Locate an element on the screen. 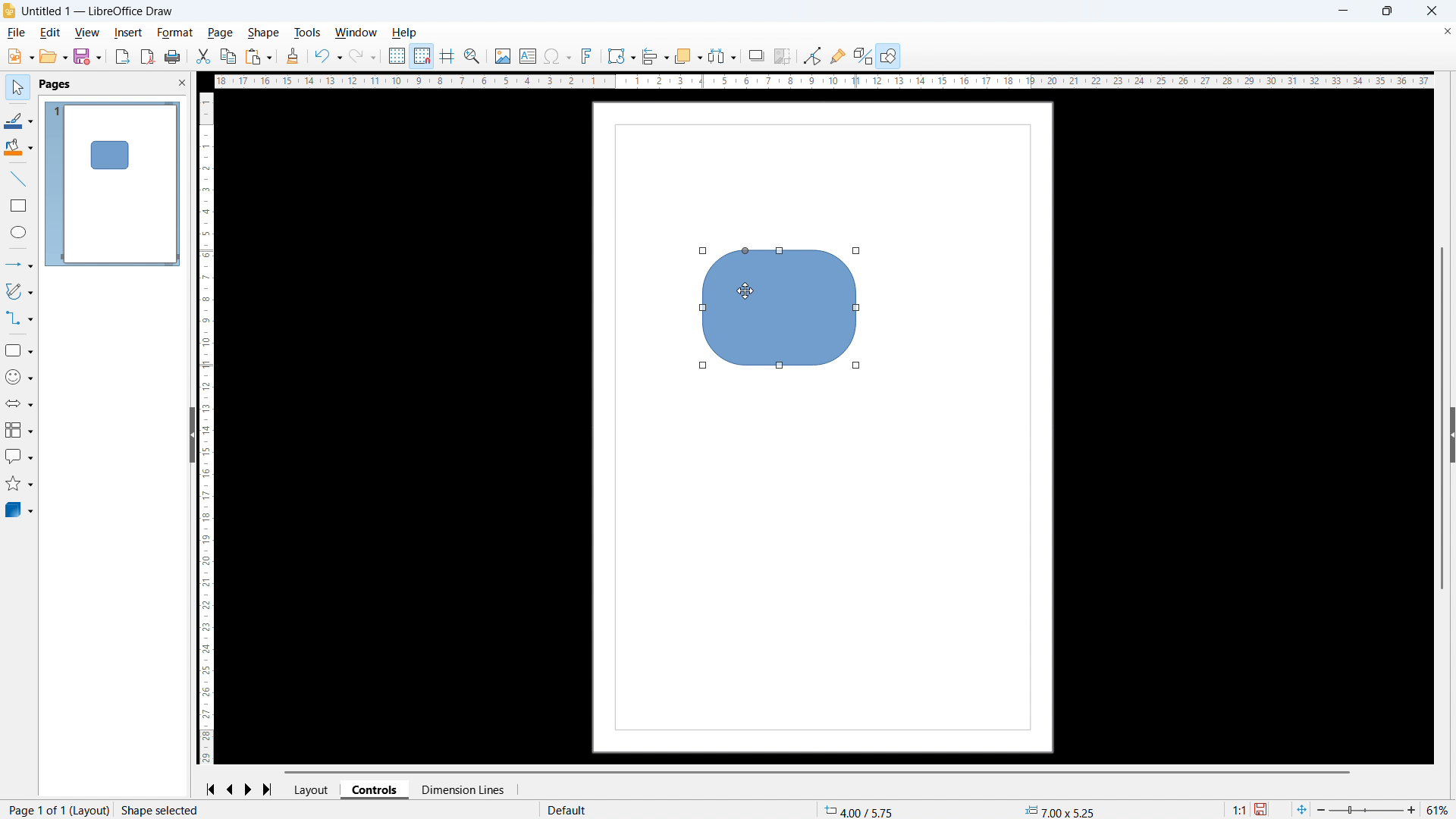 The image size is (1456, 819). paste  is located at coordinates (259, 58).